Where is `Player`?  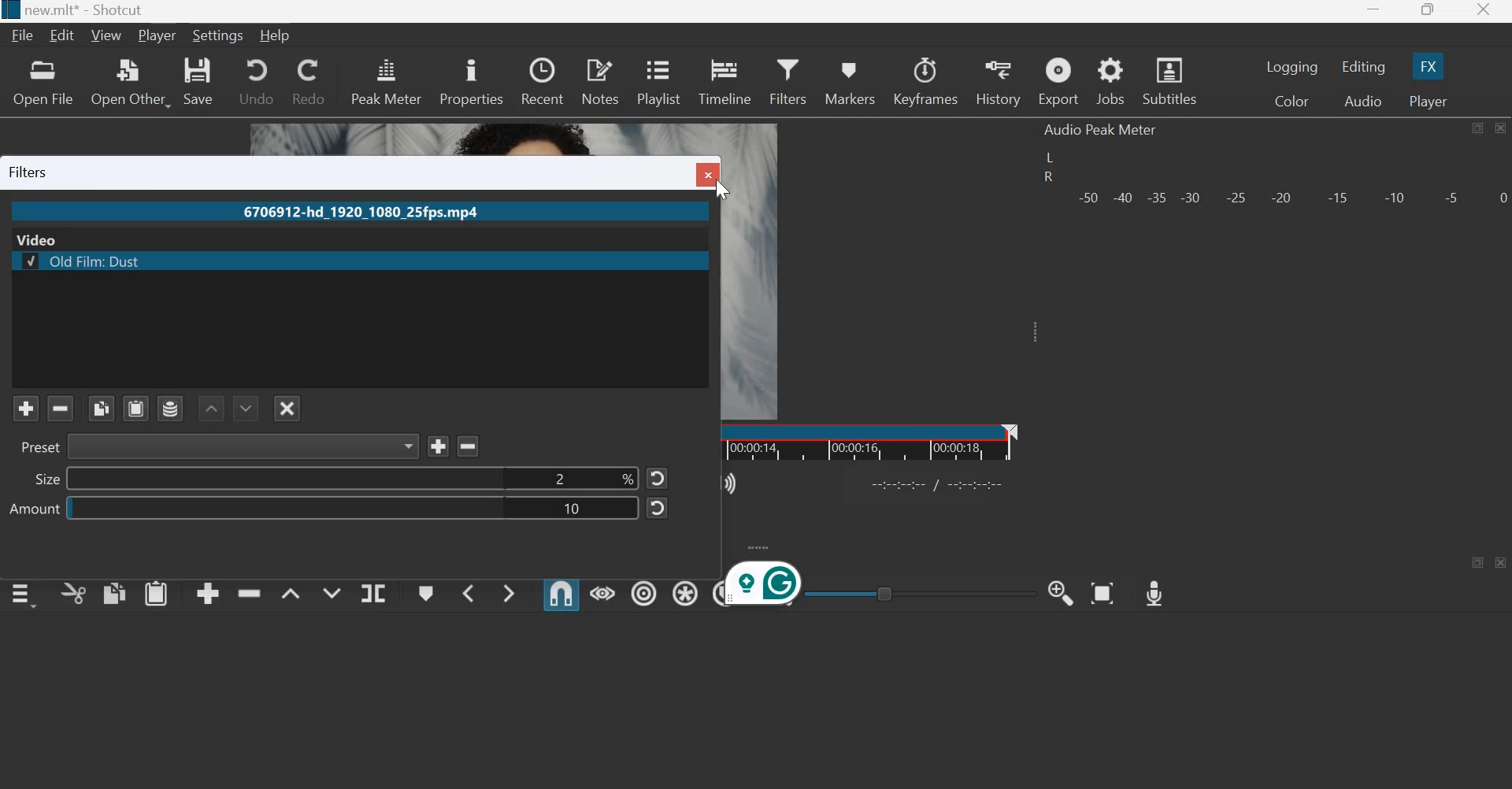 Player is located at coordinates (157, 36).